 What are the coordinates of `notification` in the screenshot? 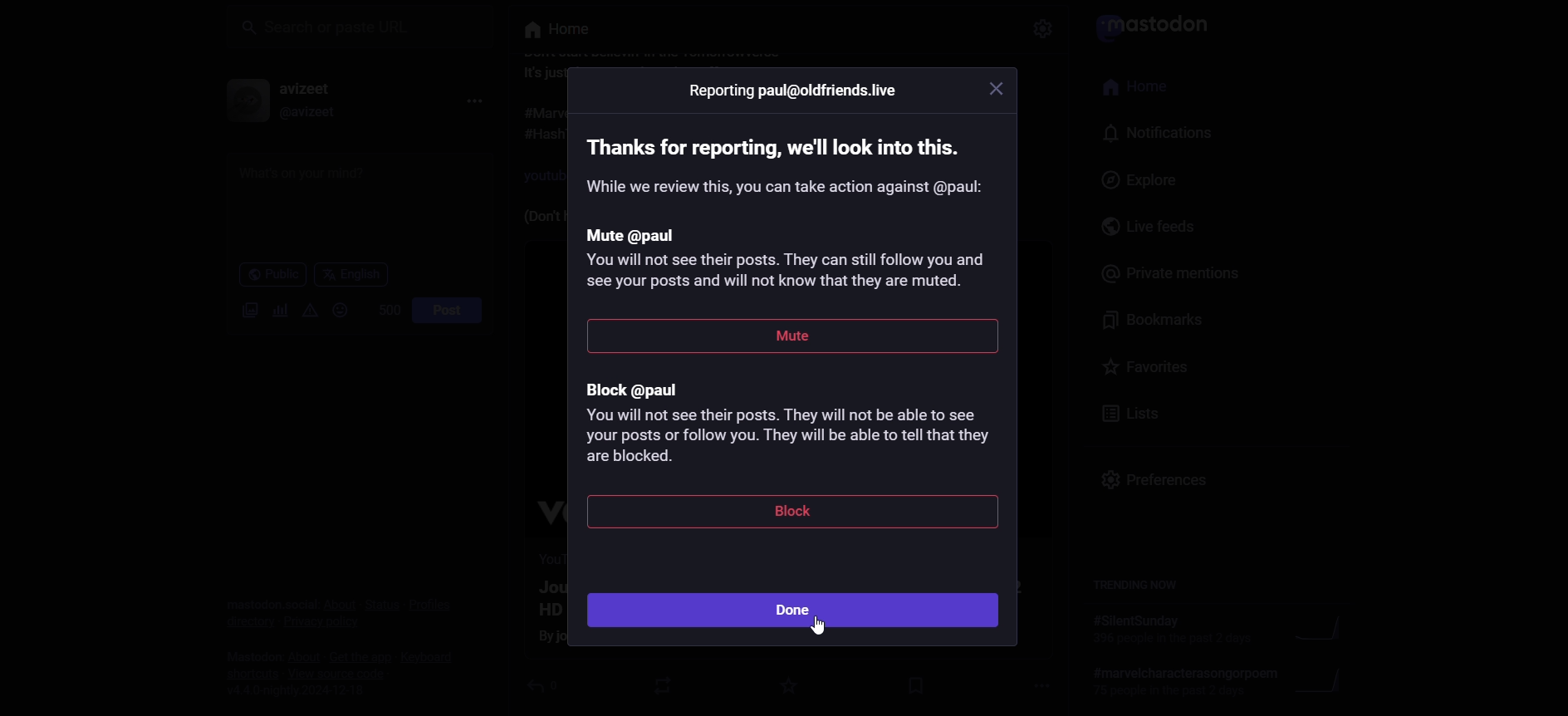 It's located at (1152, 134).